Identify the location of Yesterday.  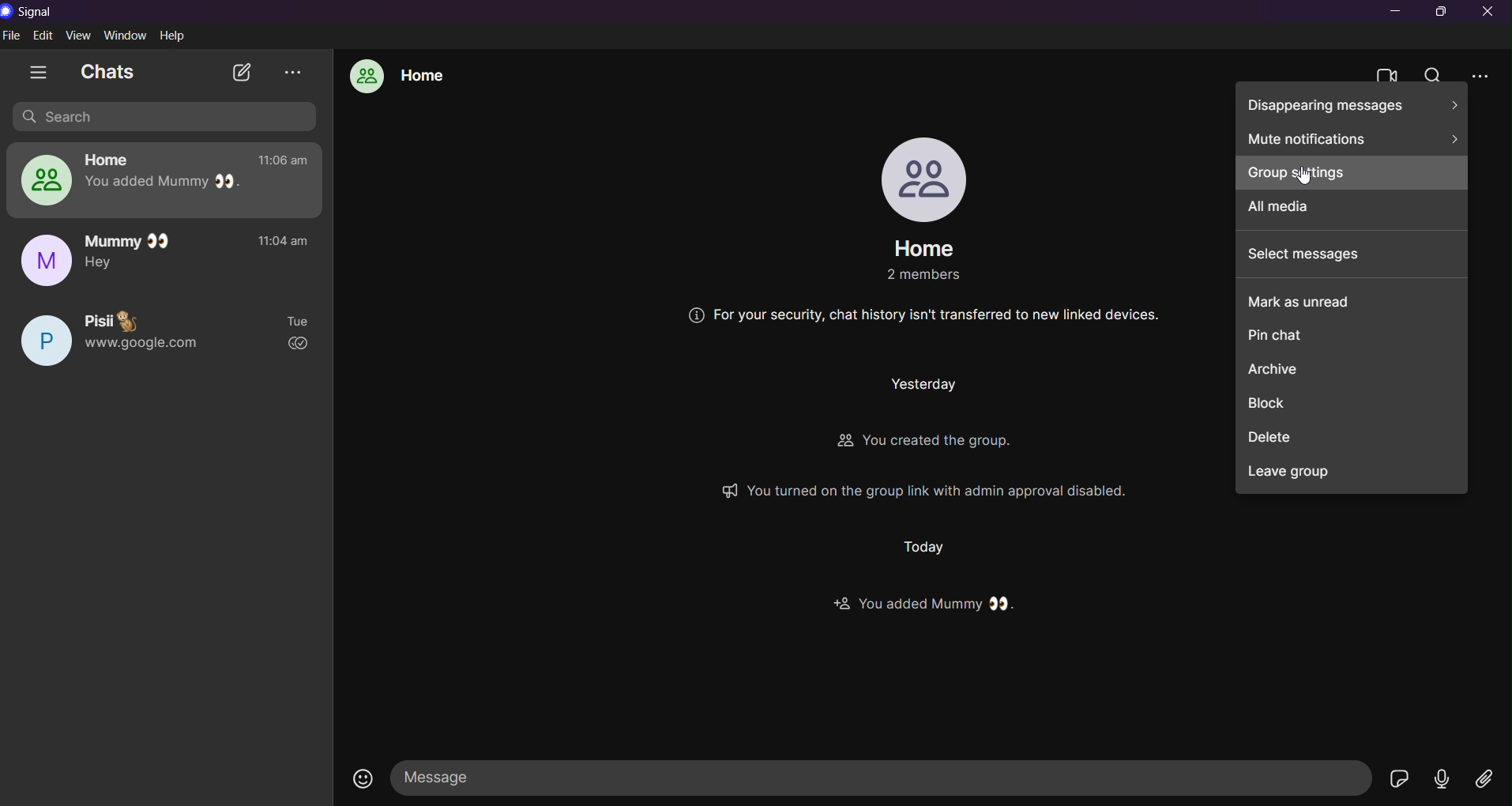
(908, 386).